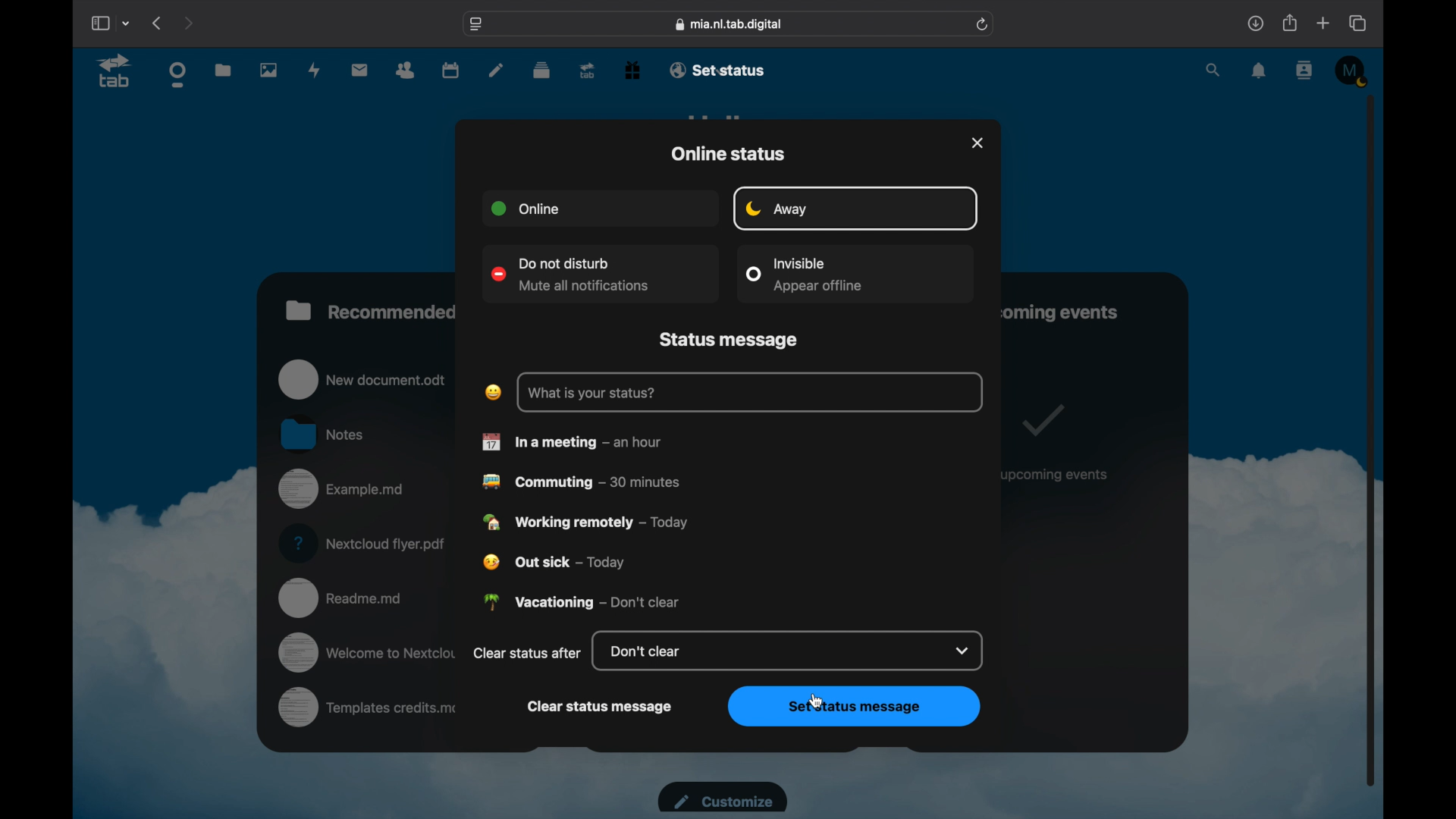  I want to click on vacationing, so click(582, 601).